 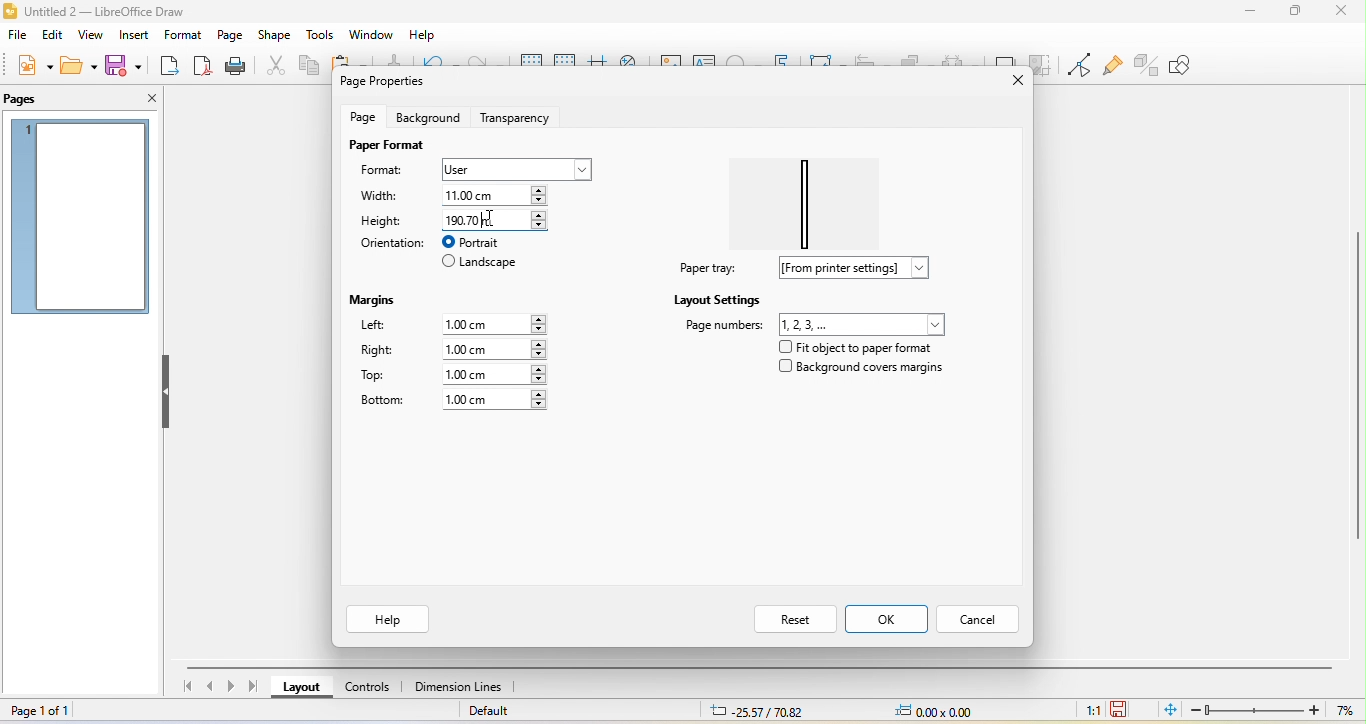 What do you see at coordinates (481, 264) in the screenshot?
I see `landscape` at bounding box center [481, 264].